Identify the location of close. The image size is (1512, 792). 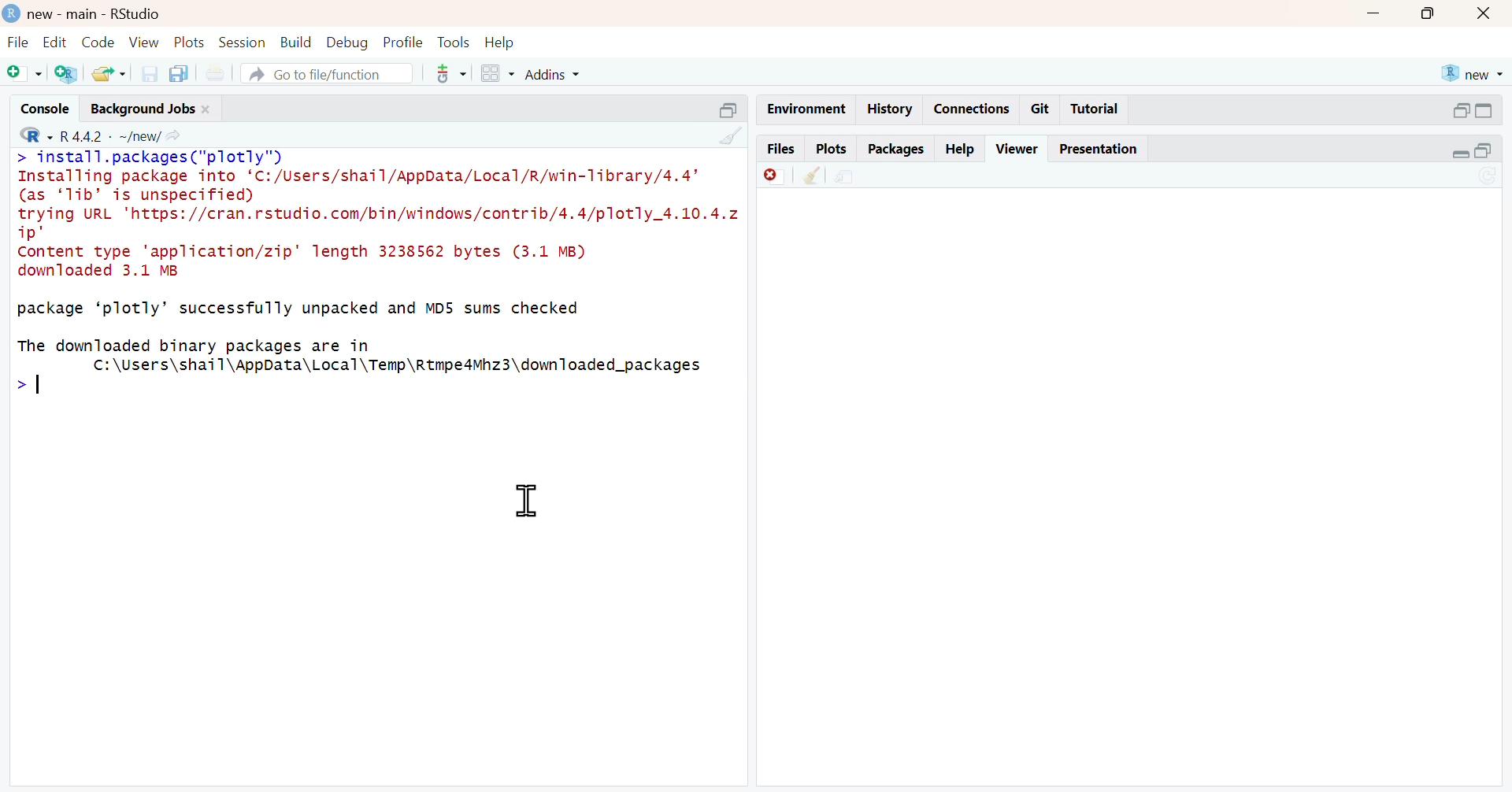
(210, 108).